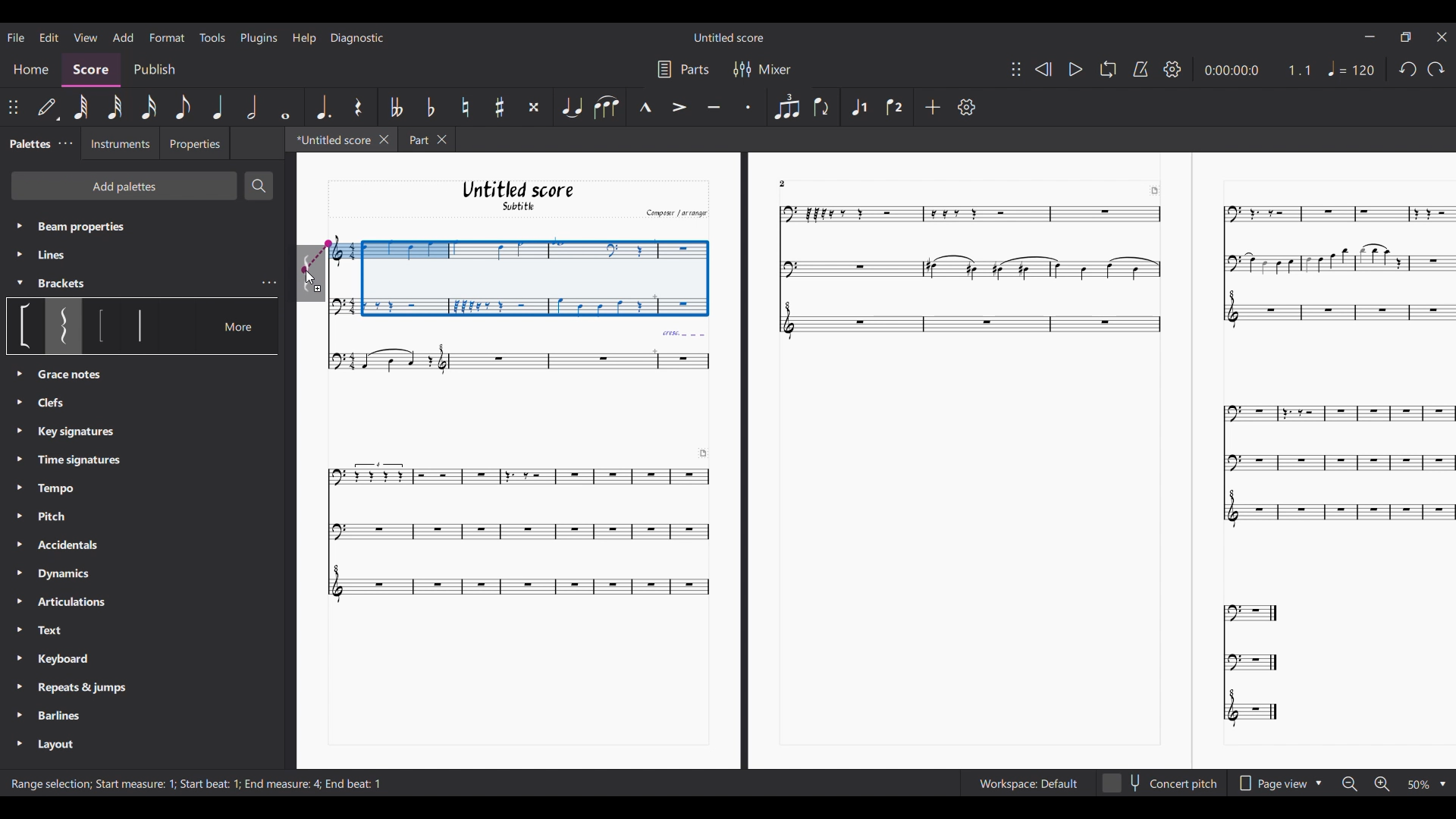 This screenshot has height=819, width=1456. Describe the element at coordinates (119, 144) in the screenshot. I see `Instruments` at that location.